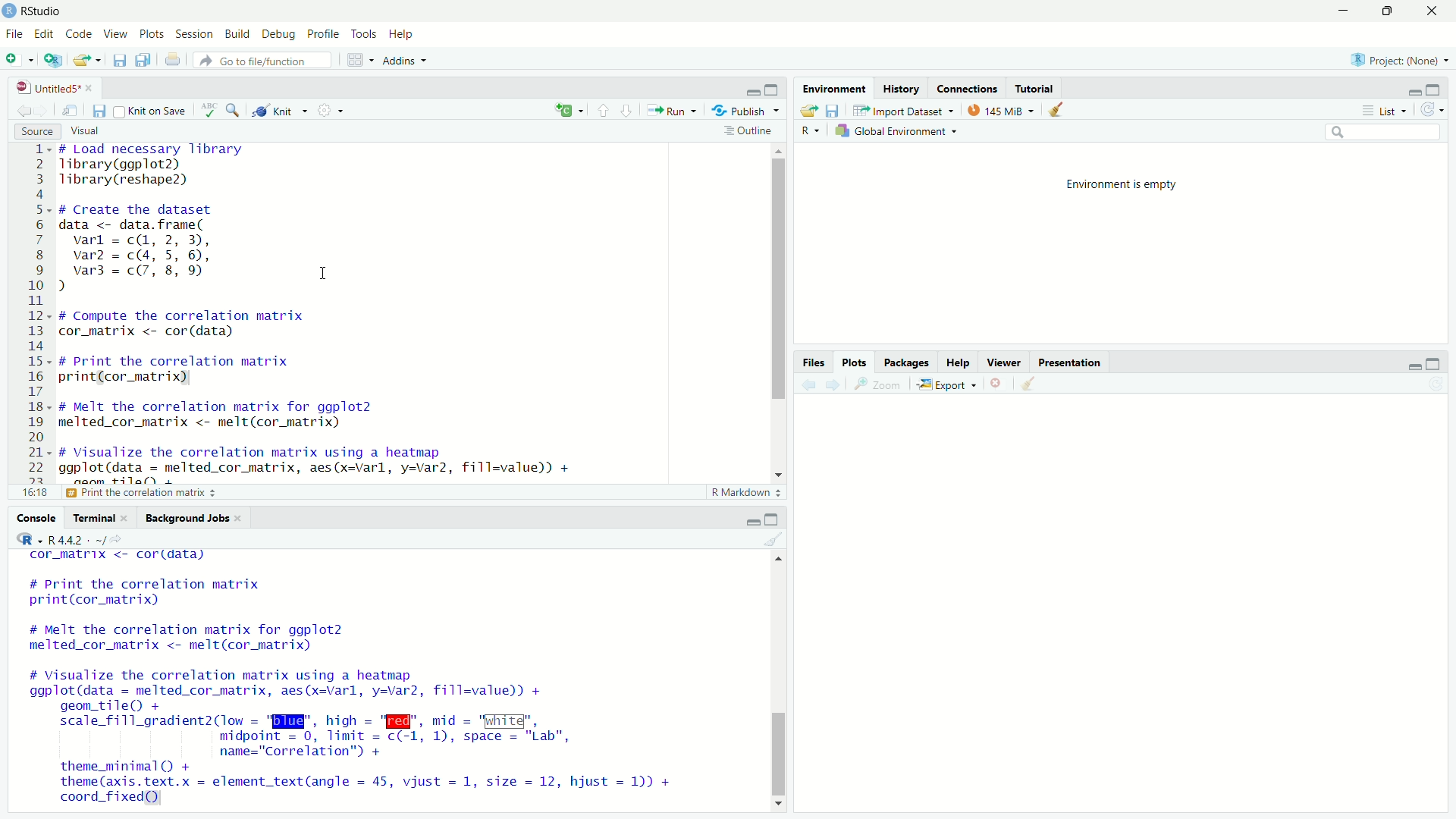  What do you see at coordinates (1384, 132) in the screenshot?
I see `search` at bounding box center [1384, 132].